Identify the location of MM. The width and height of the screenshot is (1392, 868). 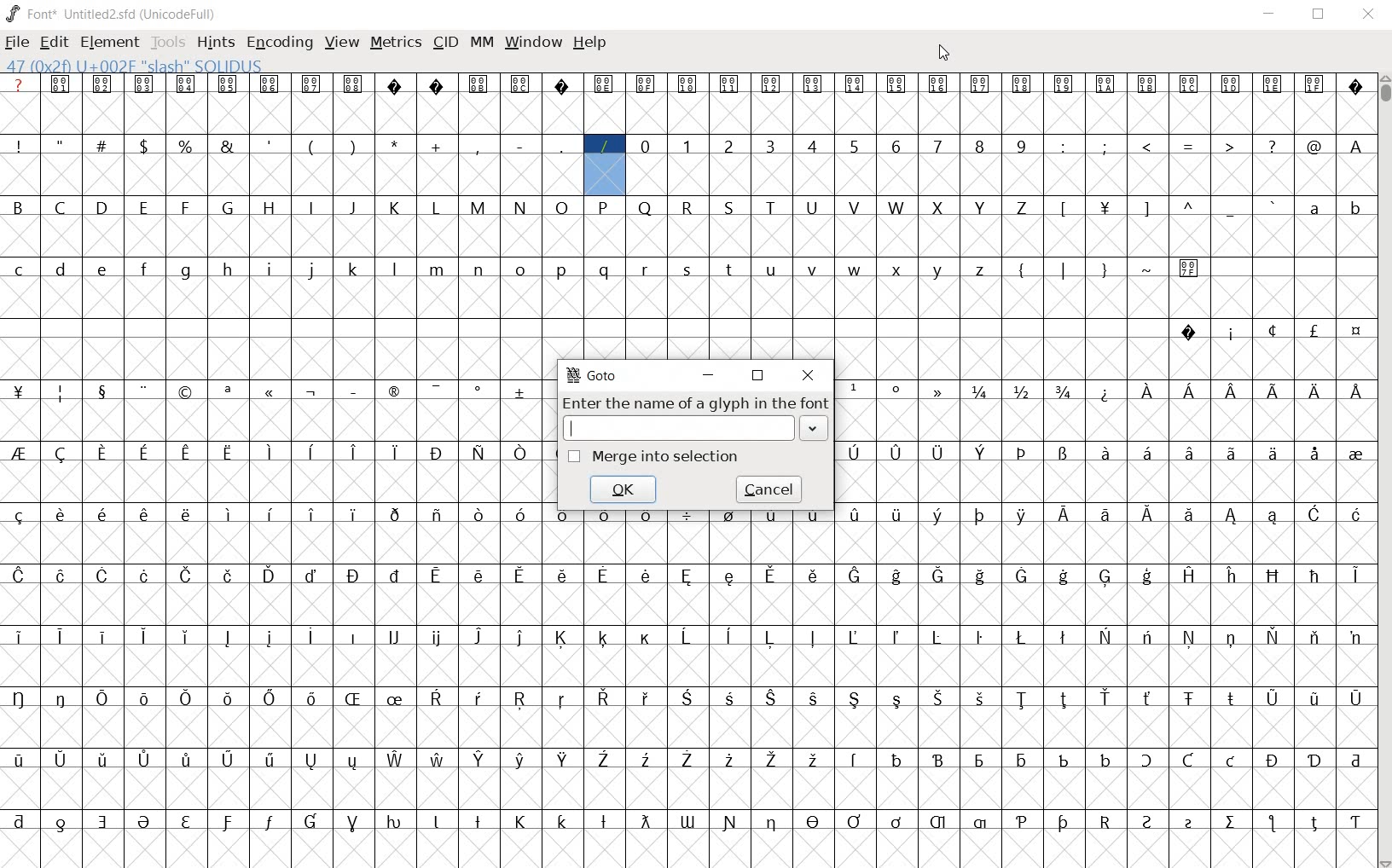
(480, 42).